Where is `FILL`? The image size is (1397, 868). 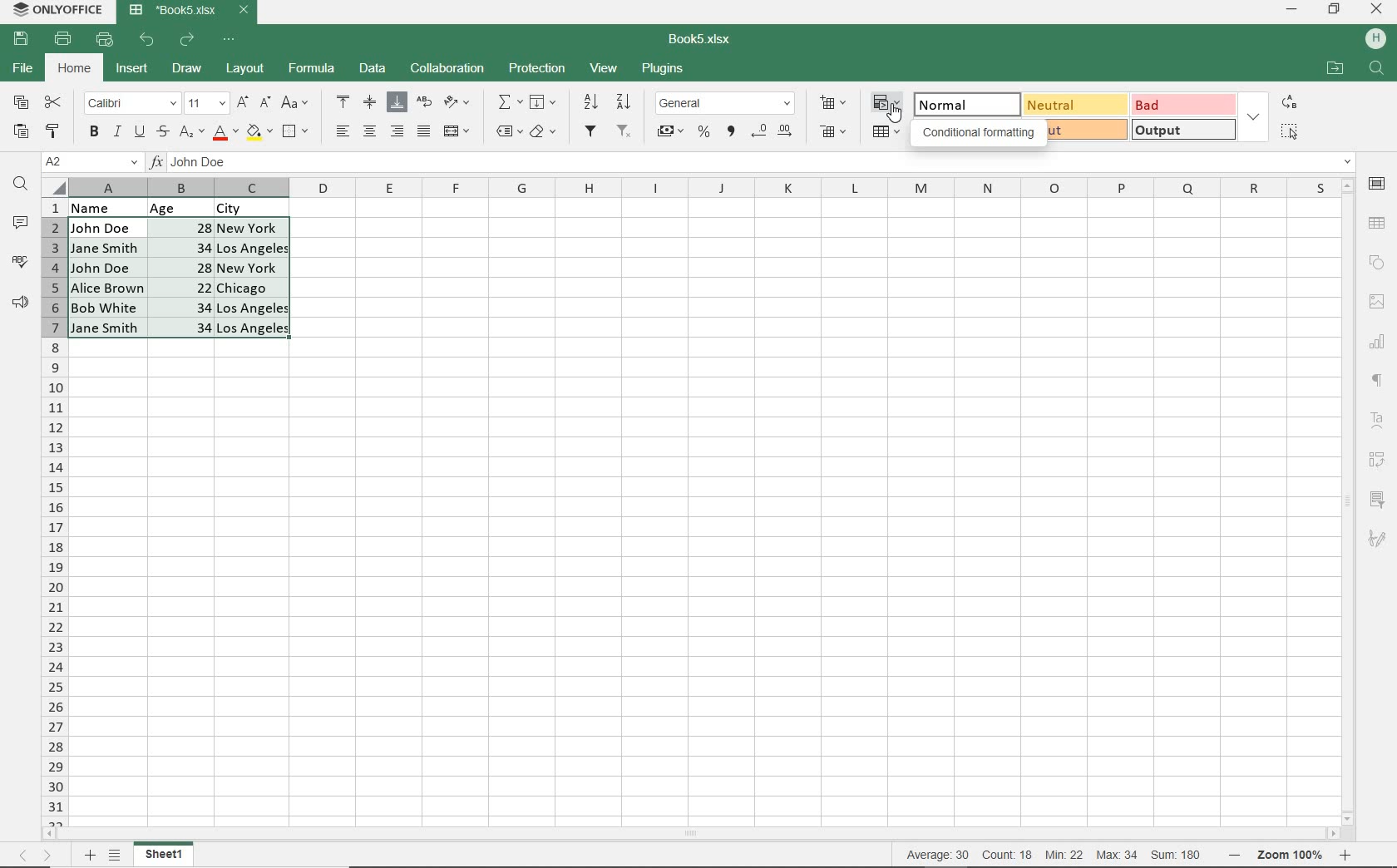
FILL is located at coordinates (547, 103).